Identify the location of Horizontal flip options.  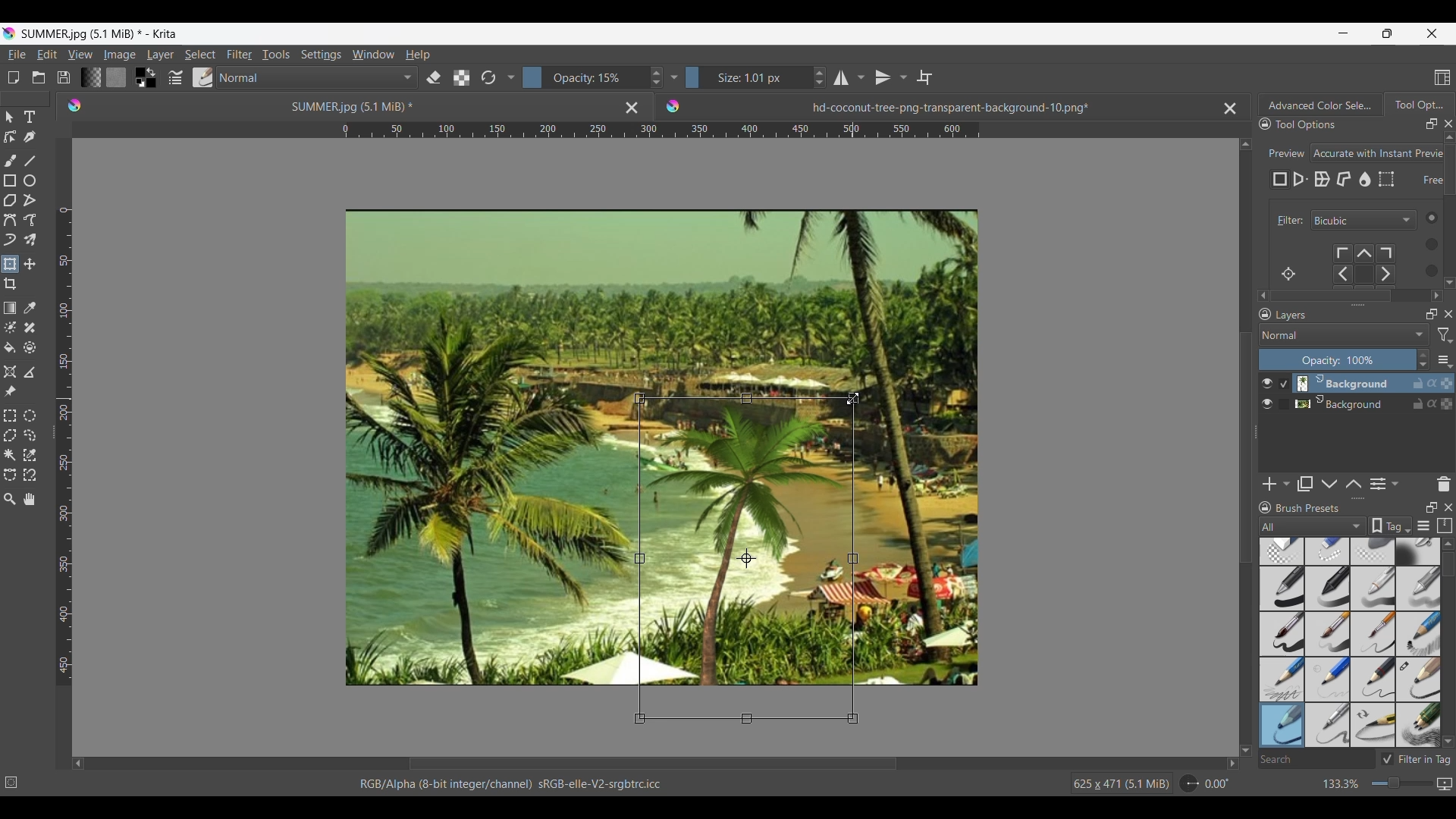
(841, 77).